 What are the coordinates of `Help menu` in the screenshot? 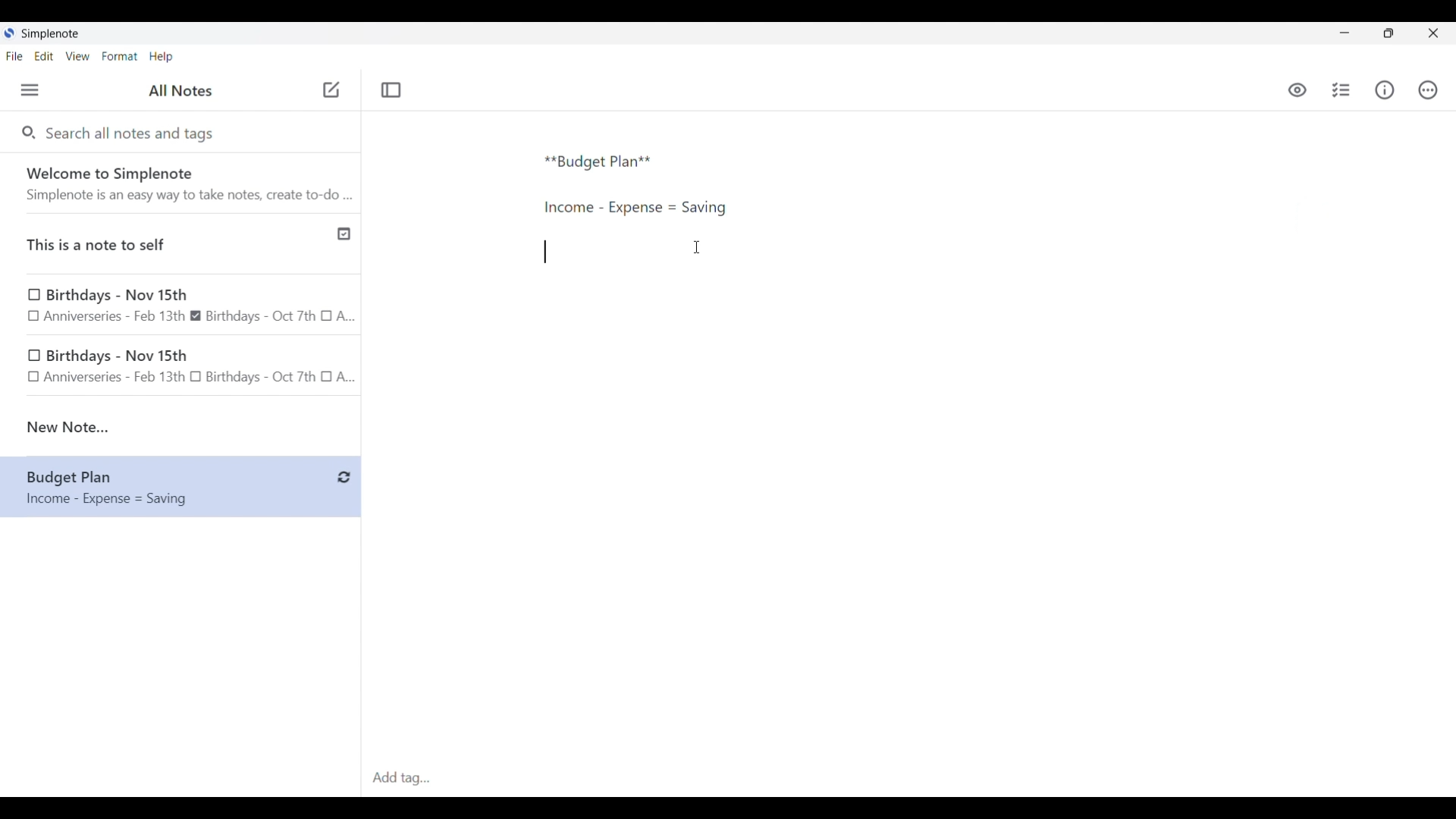 It's located at (161, 56).